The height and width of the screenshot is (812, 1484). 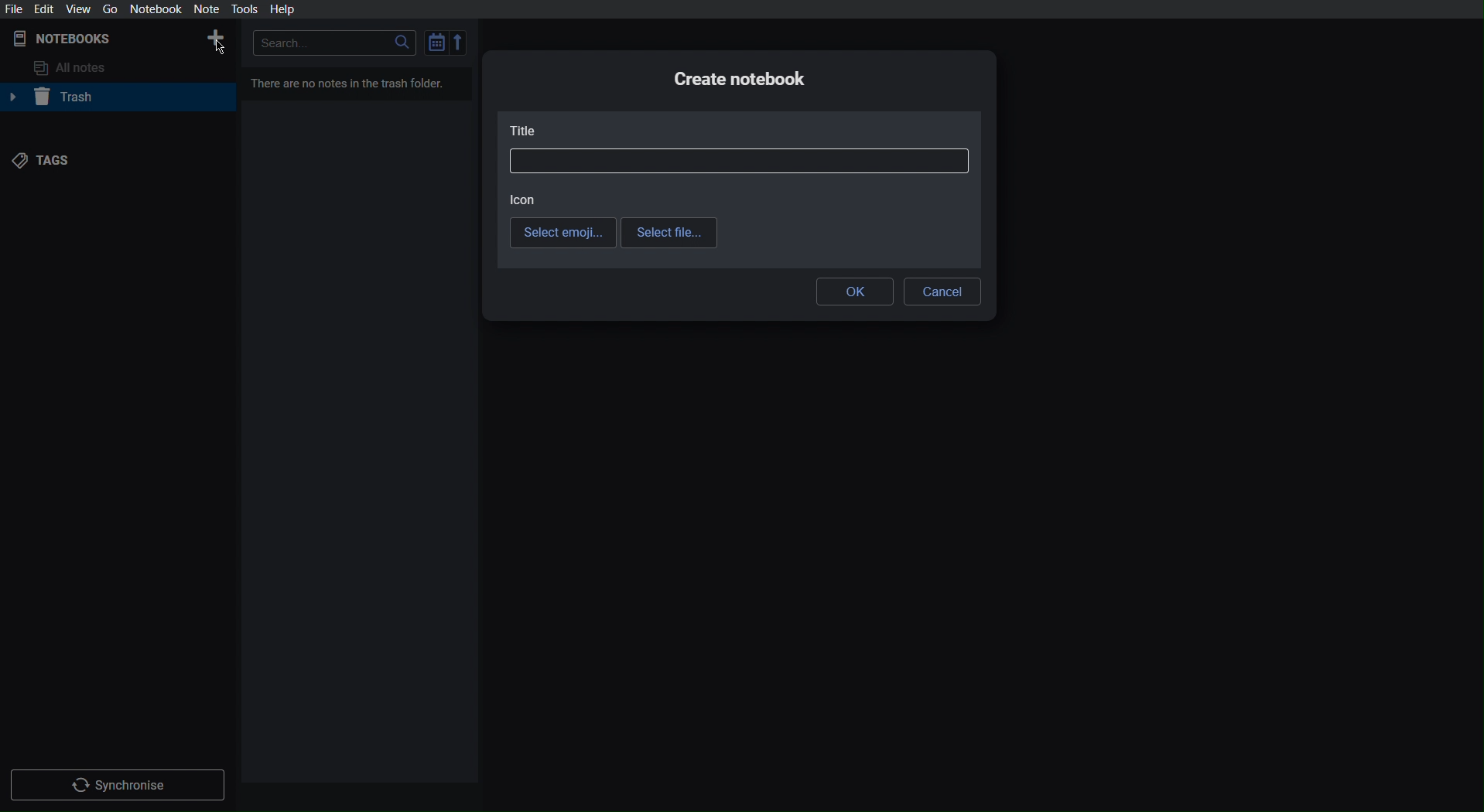 I want to click on All notes, so click(x=68, y=68).